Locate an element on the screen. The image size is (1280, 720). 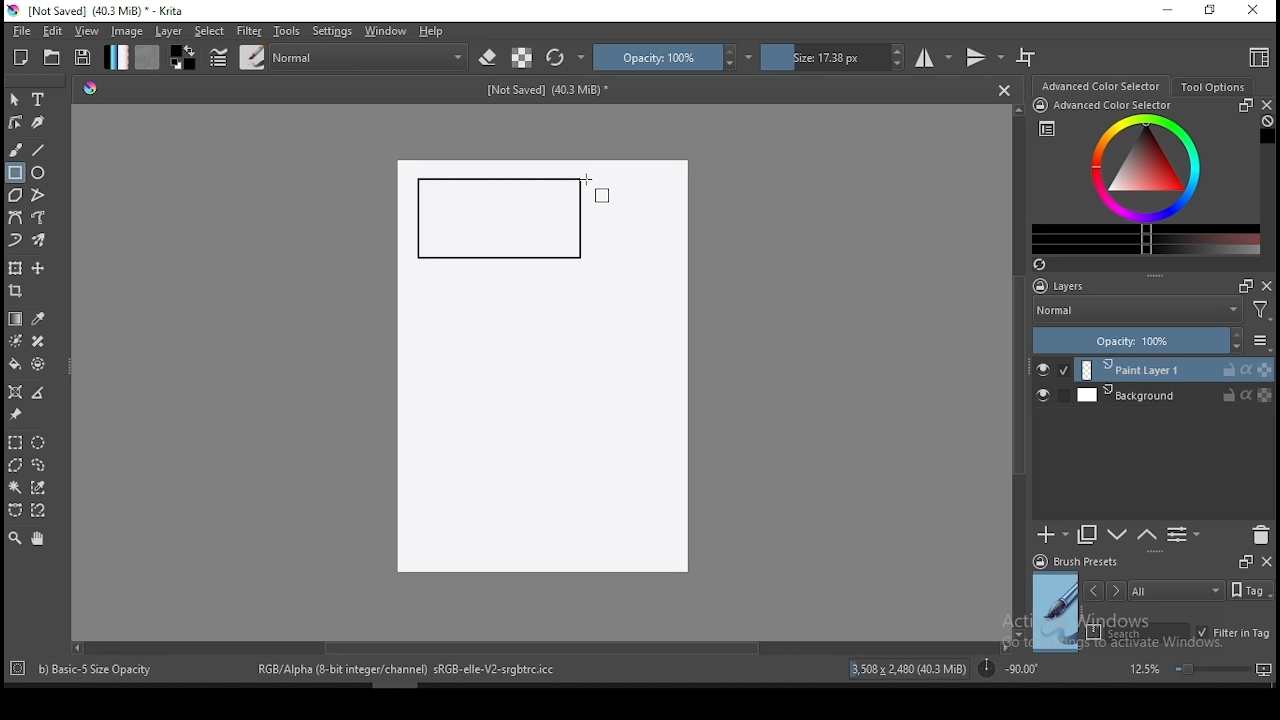
move a layer is located at coordinates (38, 269).